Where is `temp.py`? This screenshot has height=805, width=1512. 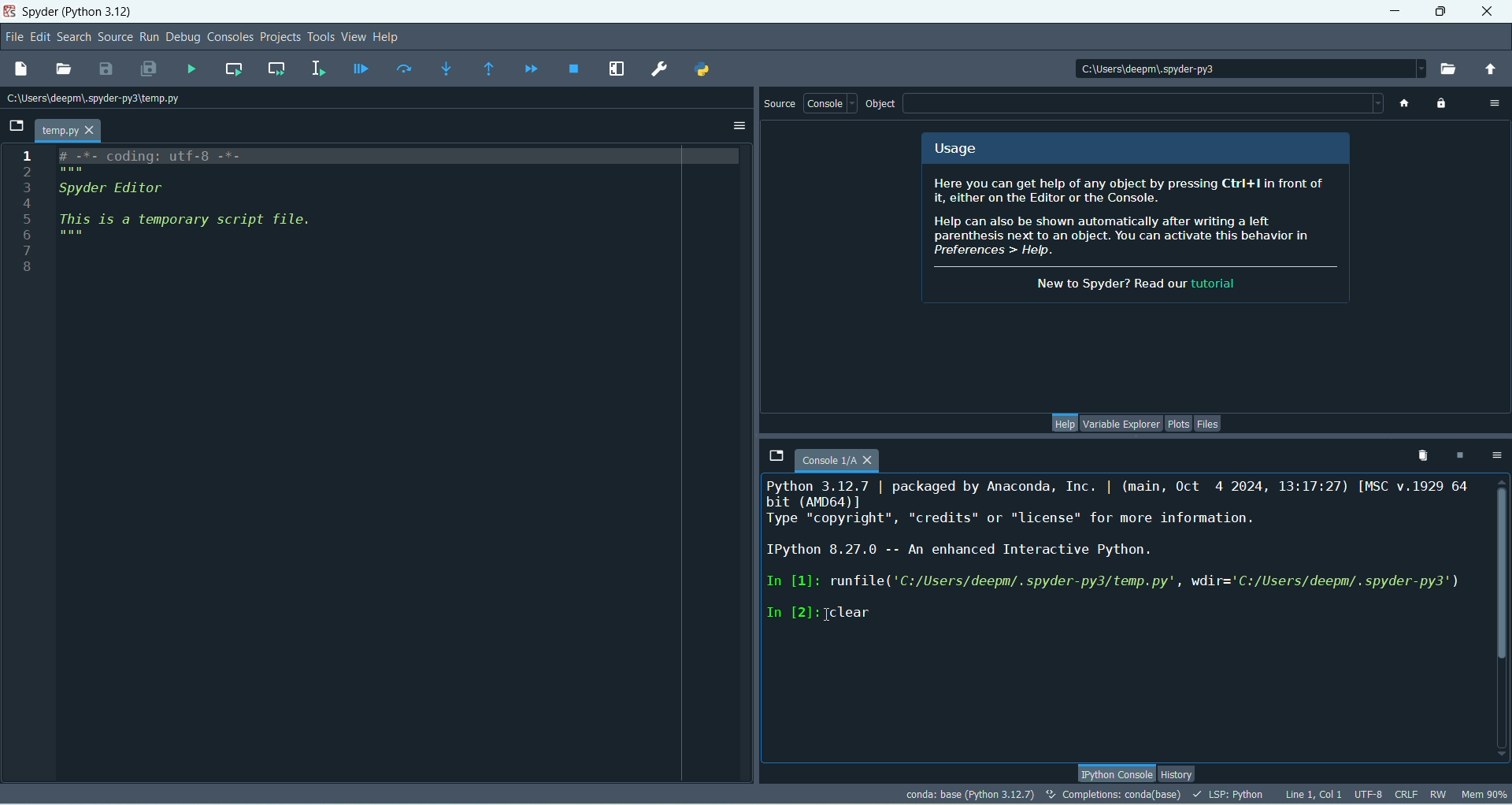
temp.py is located at coordinates (70, 131).